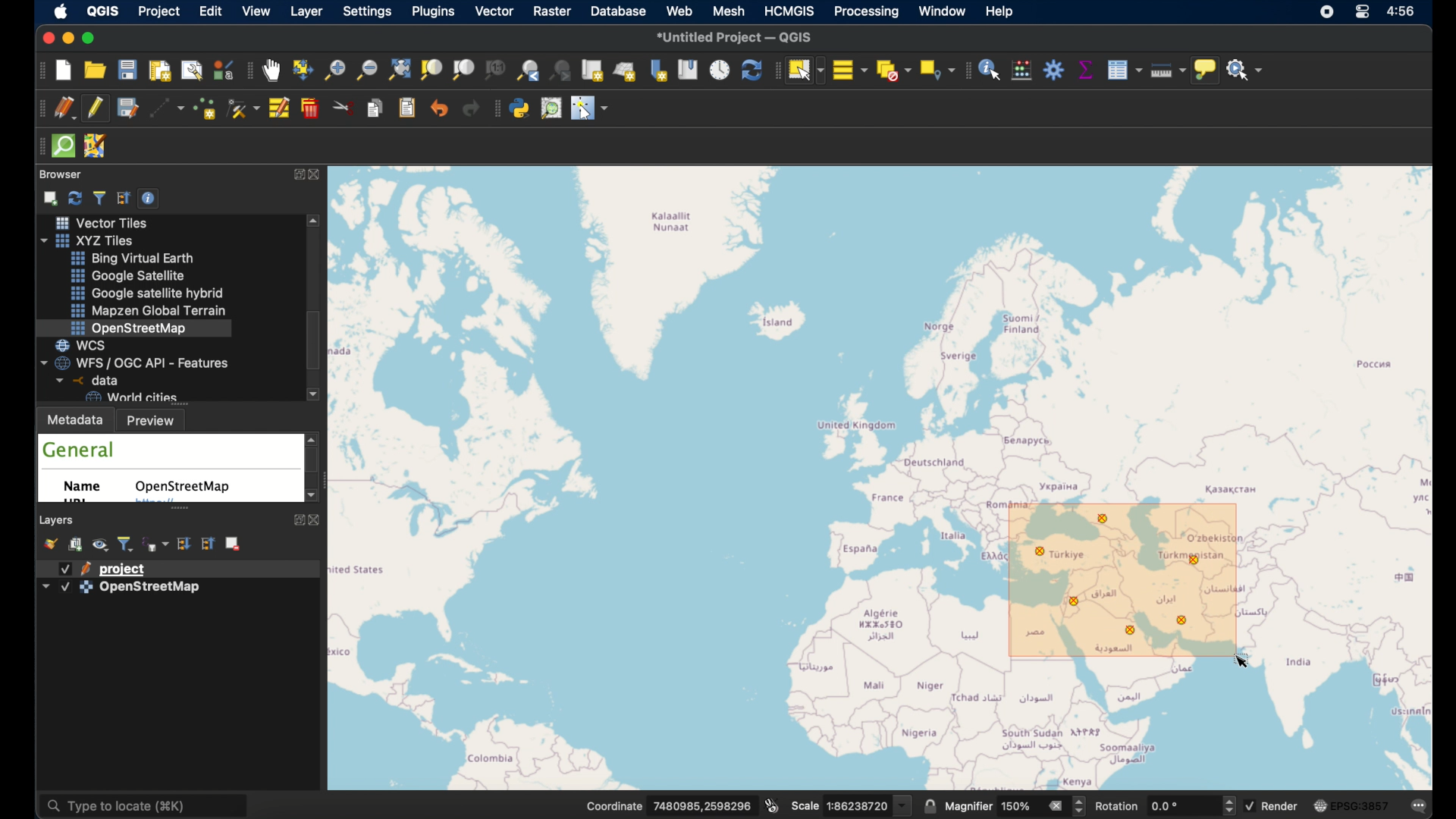 This screenshot has width=1456, height=819. What do you see at coordinates (295, 174) in the screenshot?
I see `expand` at bounding box center [295, 174].